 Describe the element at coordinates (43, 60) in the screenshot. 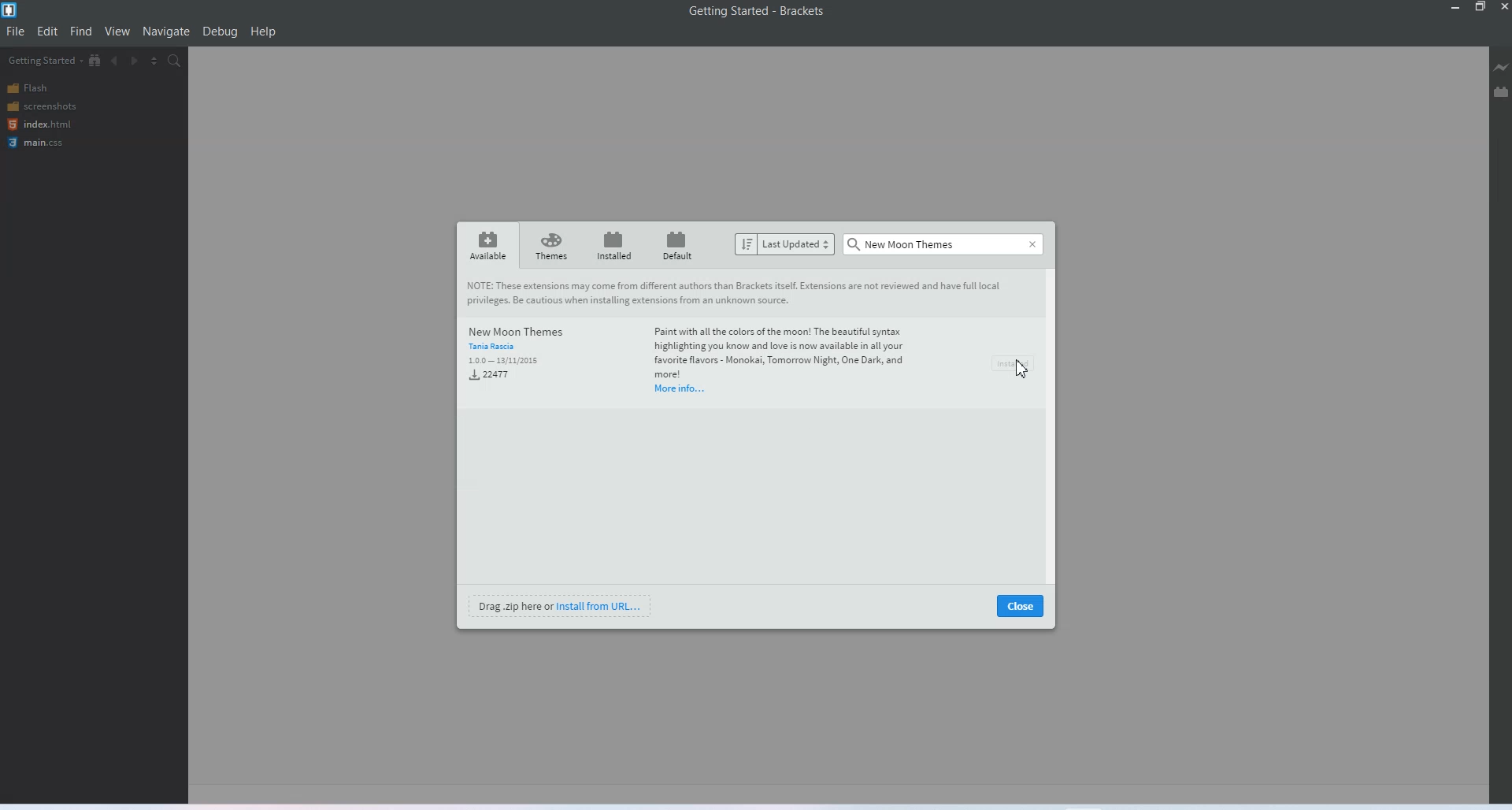

I see `Getting started` at that location.